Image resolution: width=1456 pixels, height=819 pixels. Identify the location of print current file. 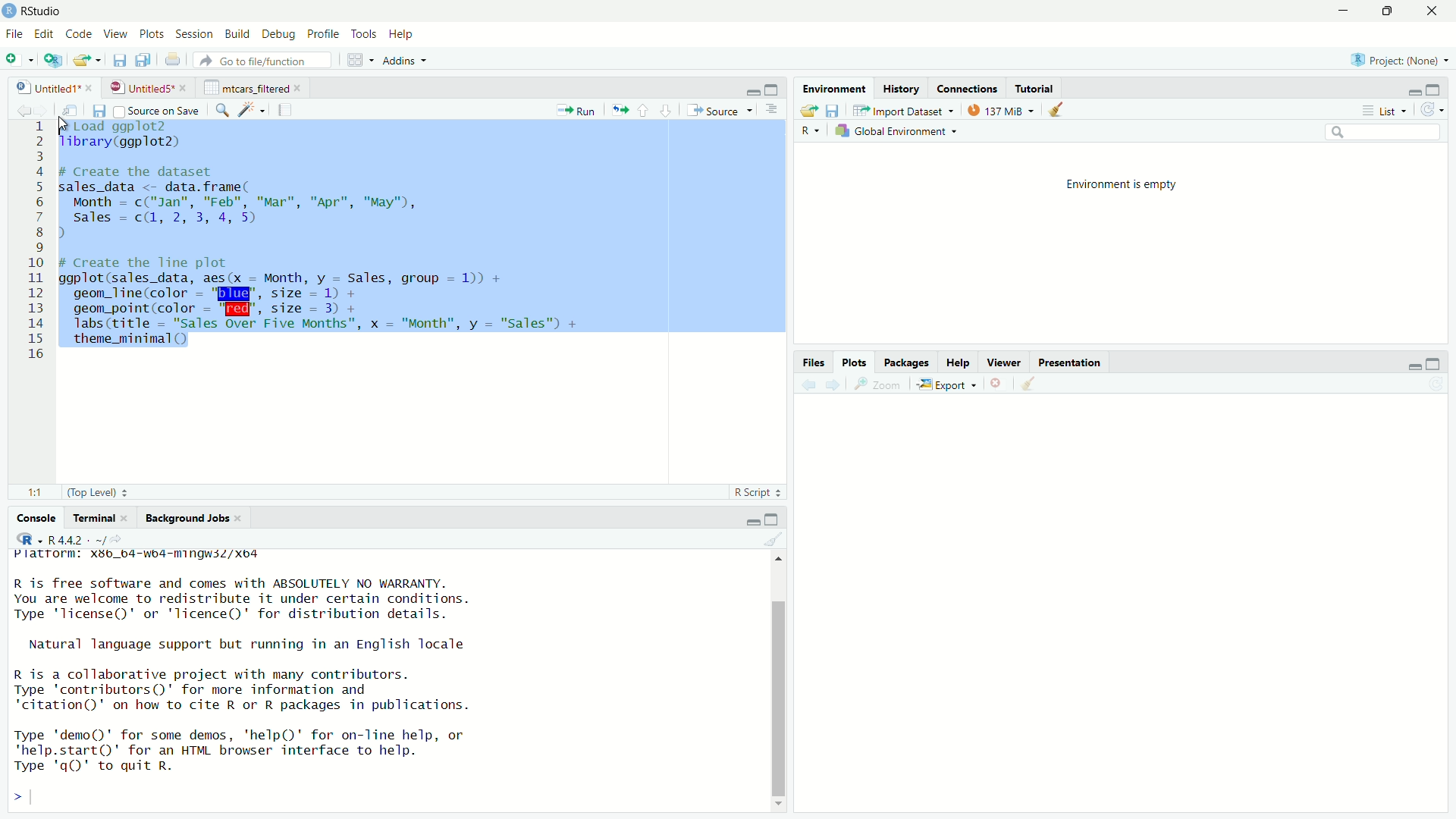
(174, 61).